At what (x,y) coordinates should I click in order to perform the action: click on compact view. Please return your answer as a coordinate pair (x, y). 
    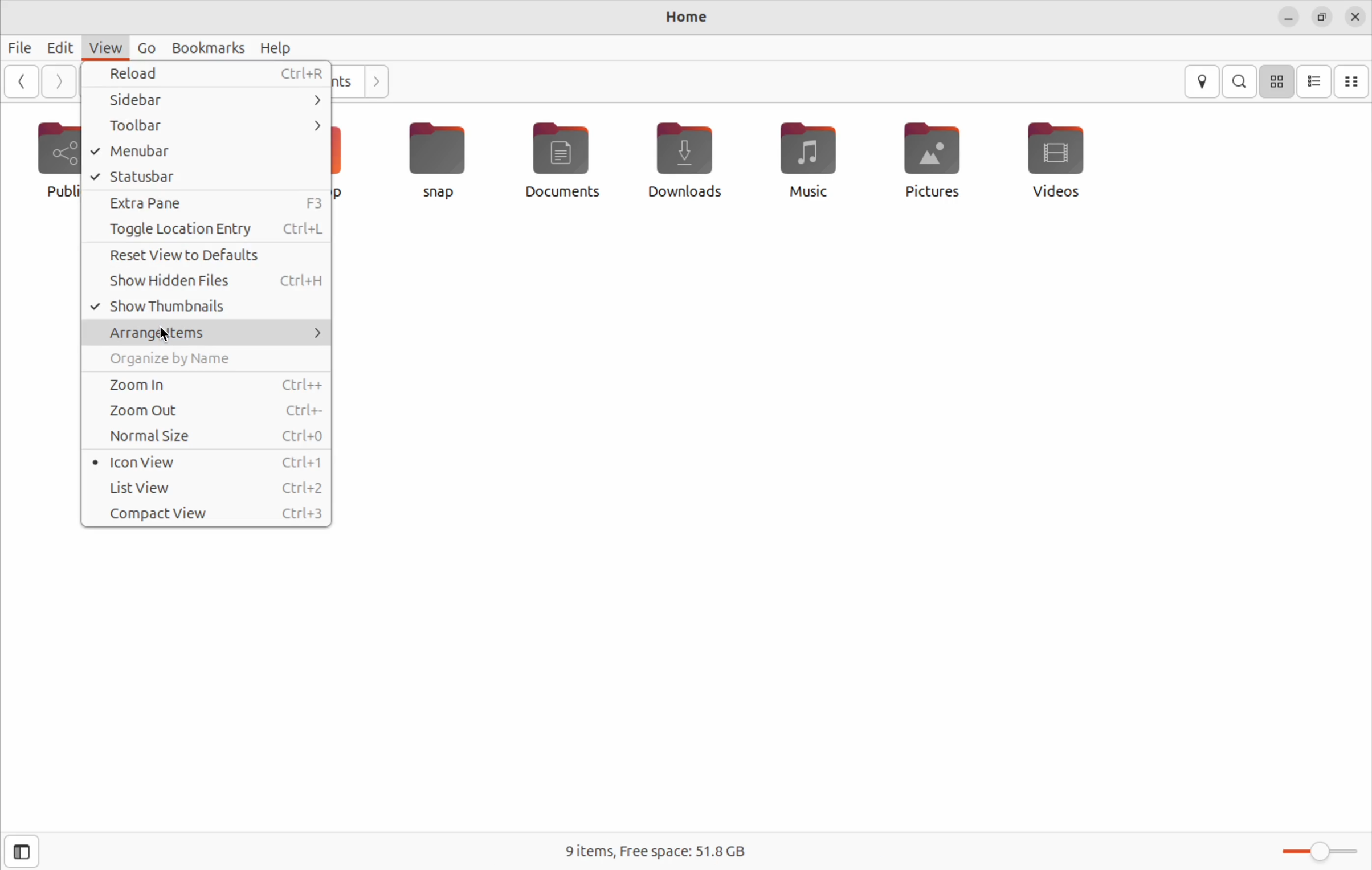
    Looking at the image, I should click on (1353, 80).